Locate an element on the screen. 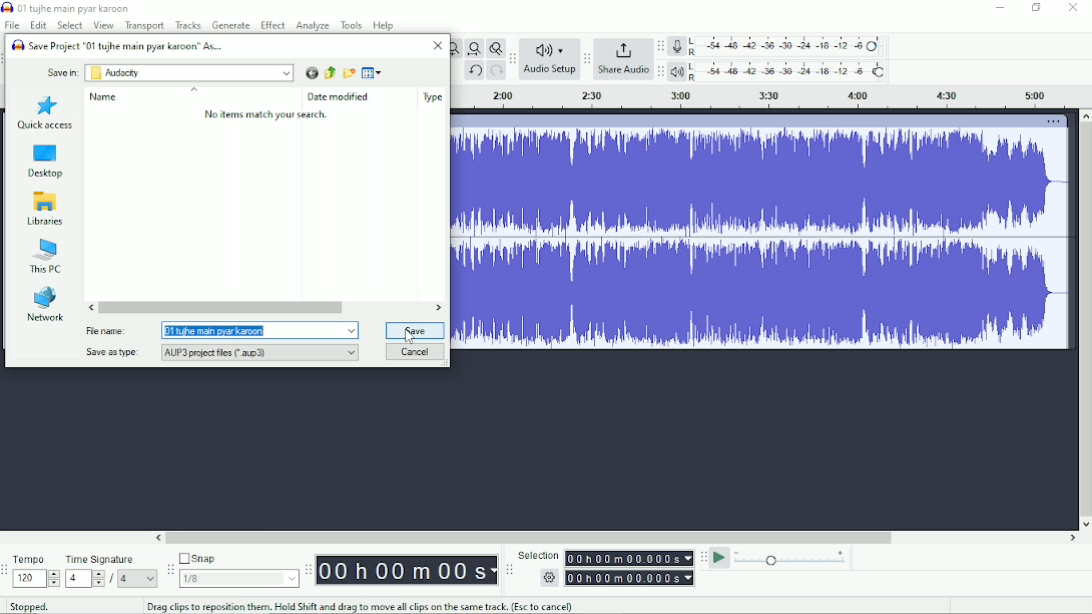 This screenshot has height=614, width=1092. View is located at coordinates (104, 25).